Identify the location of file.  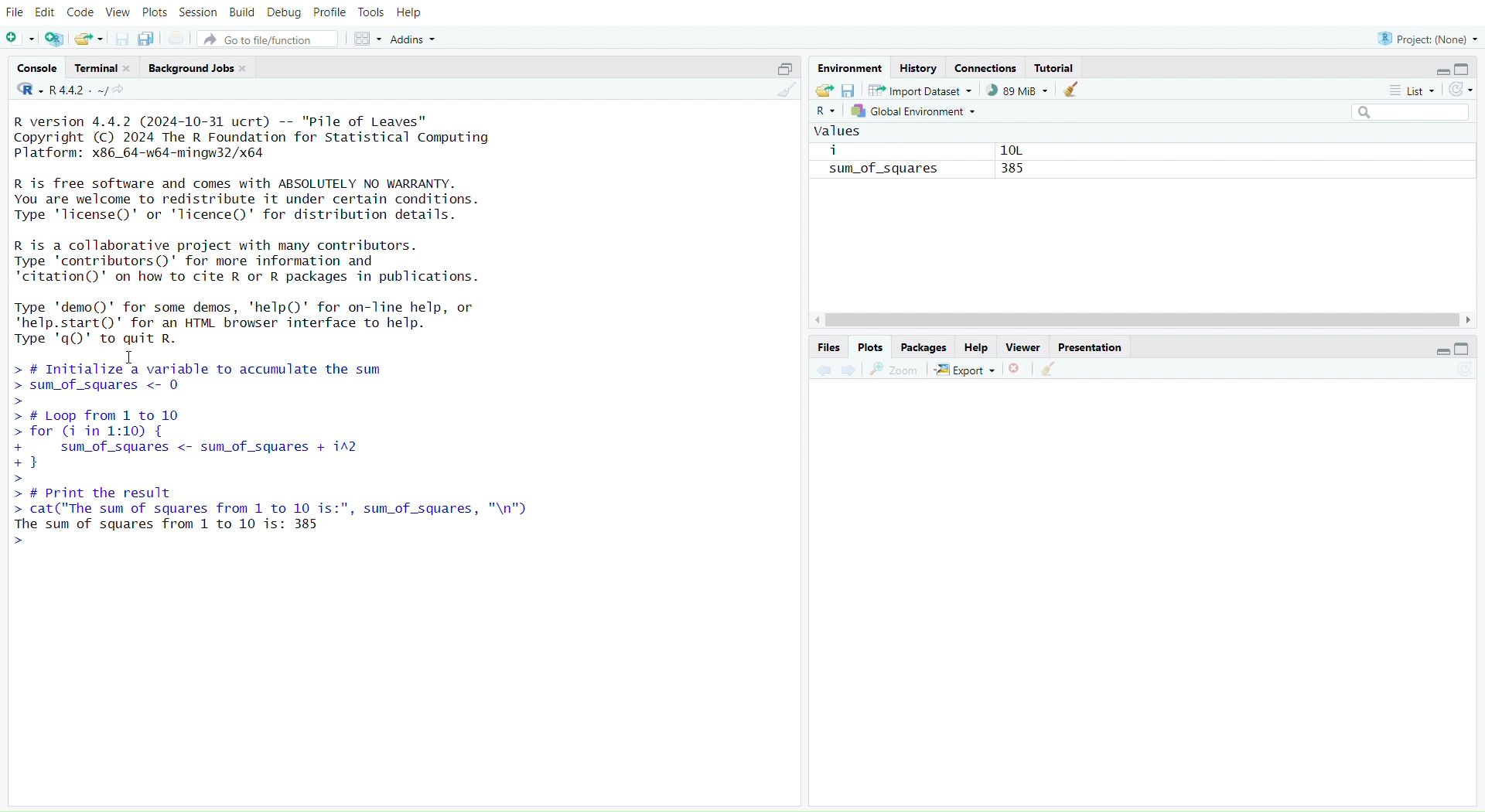
(18, 12).